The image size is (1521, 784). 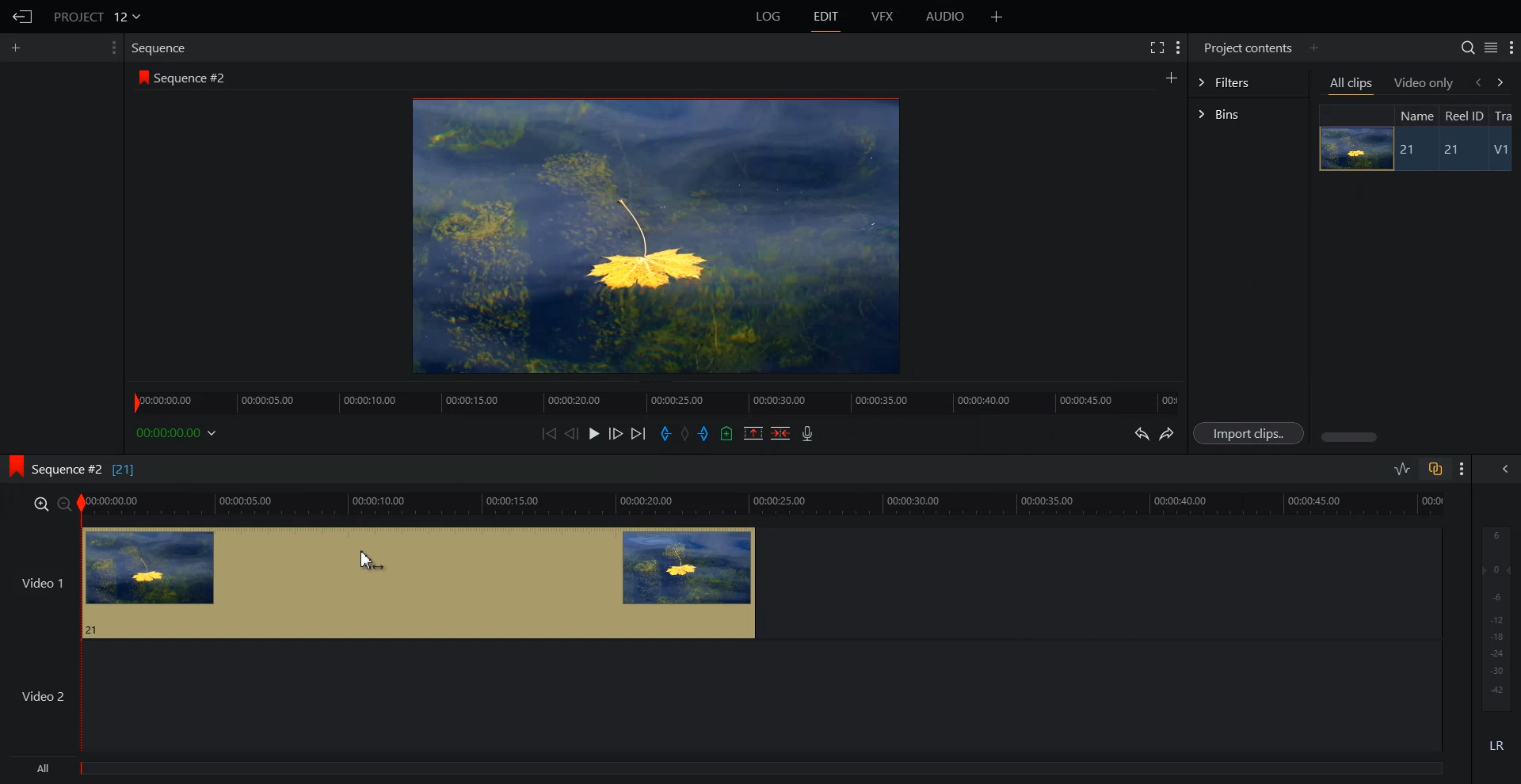 I want to click on Show the full audio mix, so click(x=1501, y=469).